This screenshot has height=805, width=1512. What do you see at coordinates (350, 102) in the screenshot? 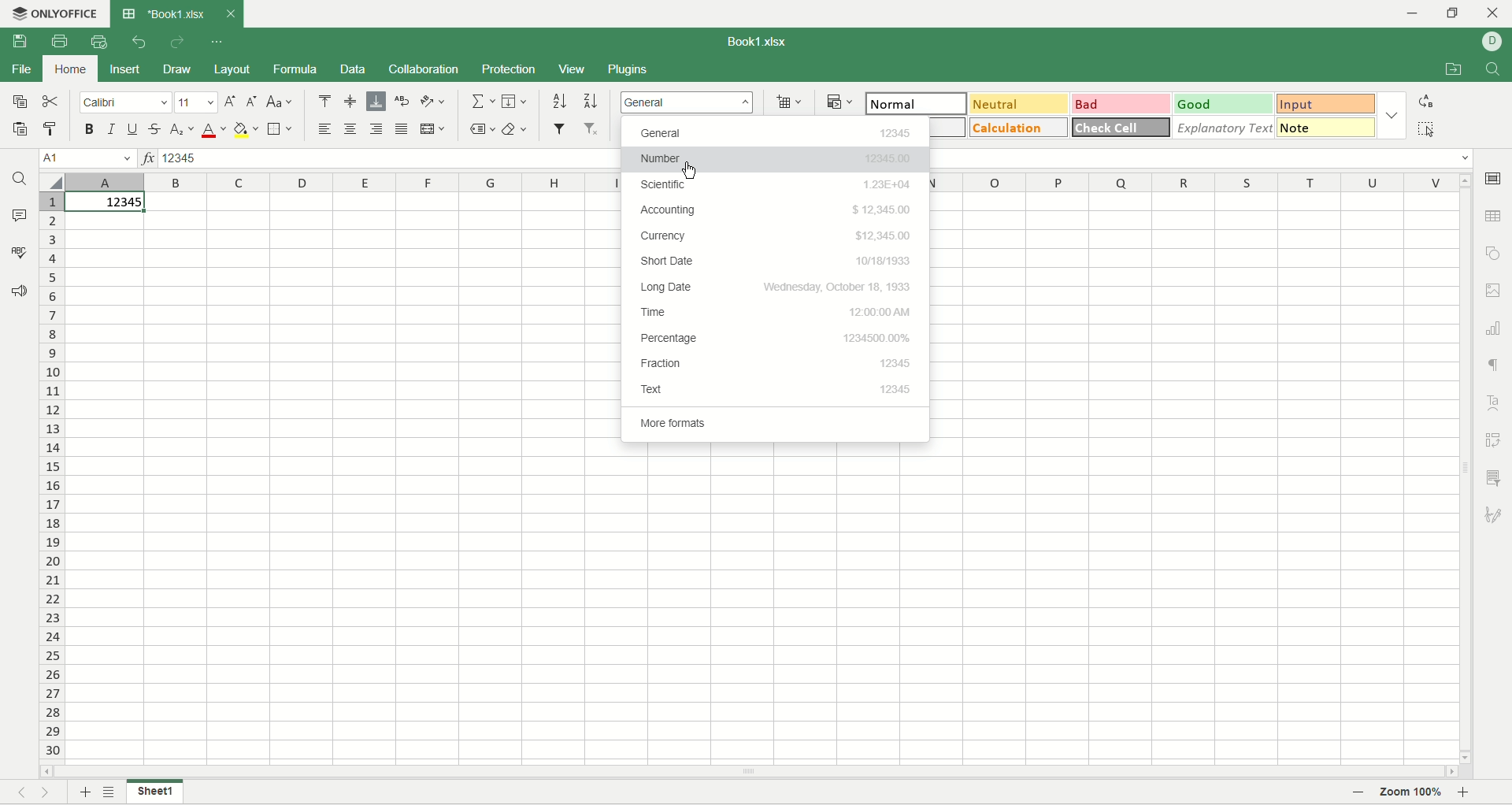
I see `align middle` at bounding box center [350, 102].